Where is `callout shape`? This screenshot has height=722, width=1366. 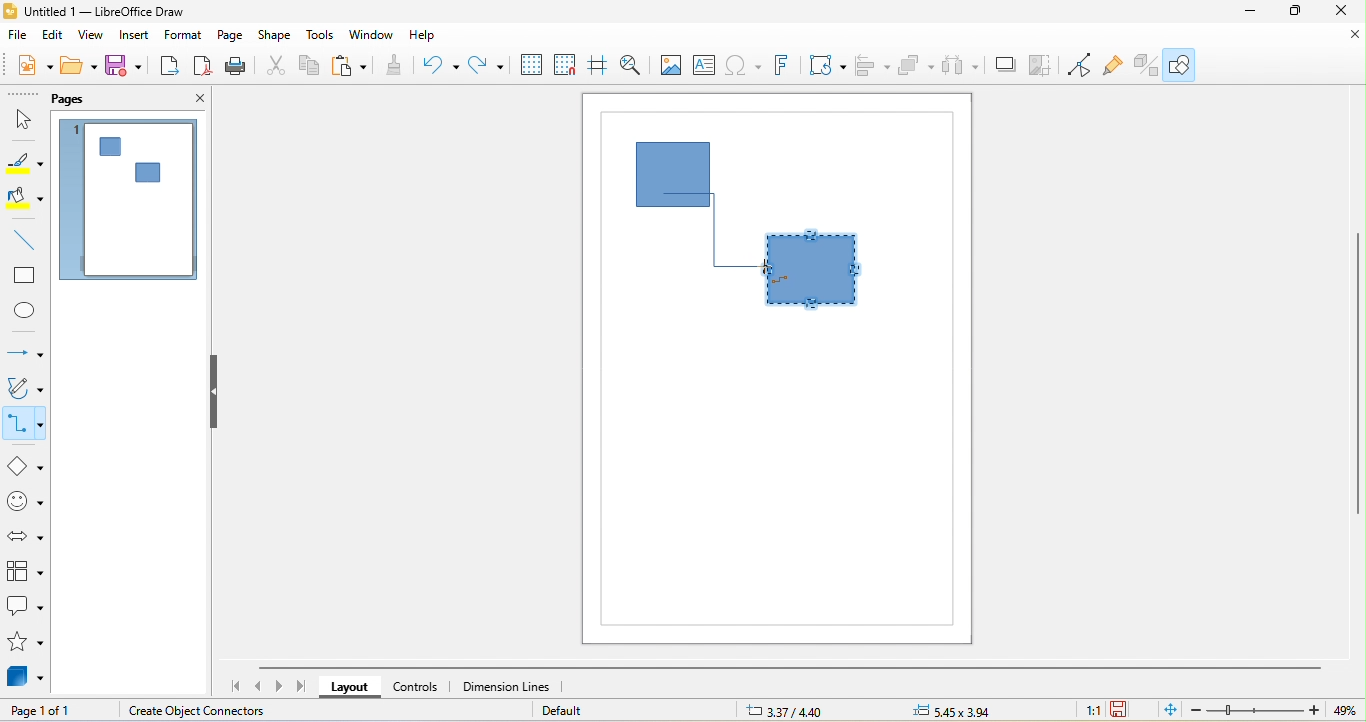
callout shape is located at coordinates (26, 605).